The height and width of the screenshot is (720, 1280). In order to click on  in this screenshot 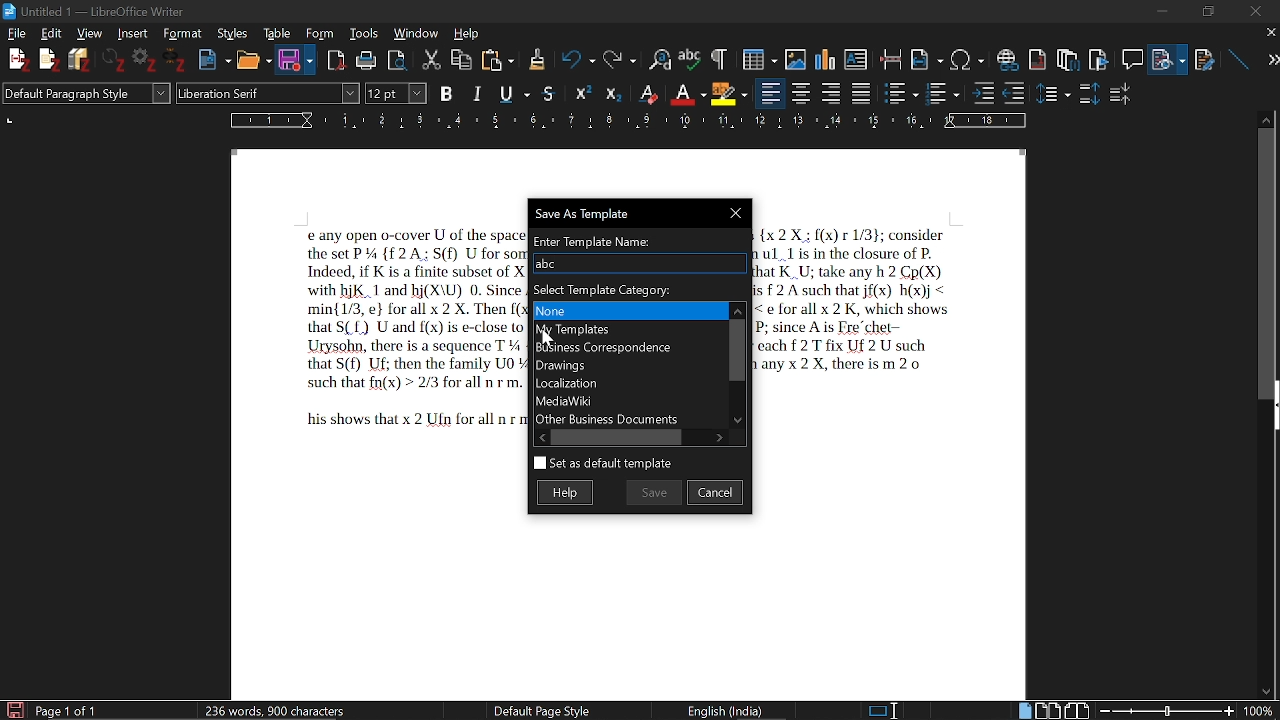, I will do `click(983, 92)`.